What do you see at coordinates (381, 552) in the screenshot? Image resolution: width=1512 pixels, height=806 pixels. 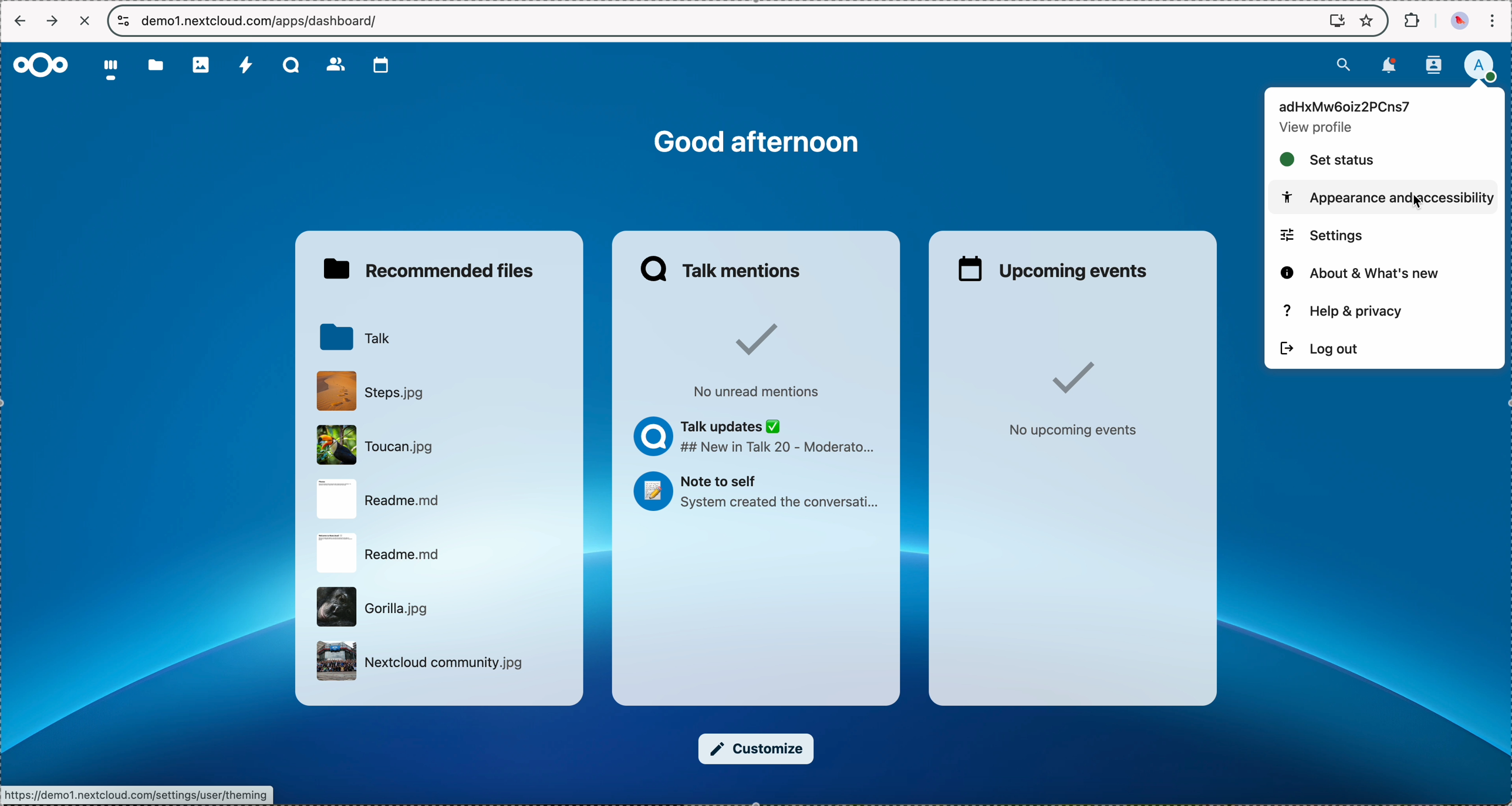 I see `file` at bounding box center [381, 552].